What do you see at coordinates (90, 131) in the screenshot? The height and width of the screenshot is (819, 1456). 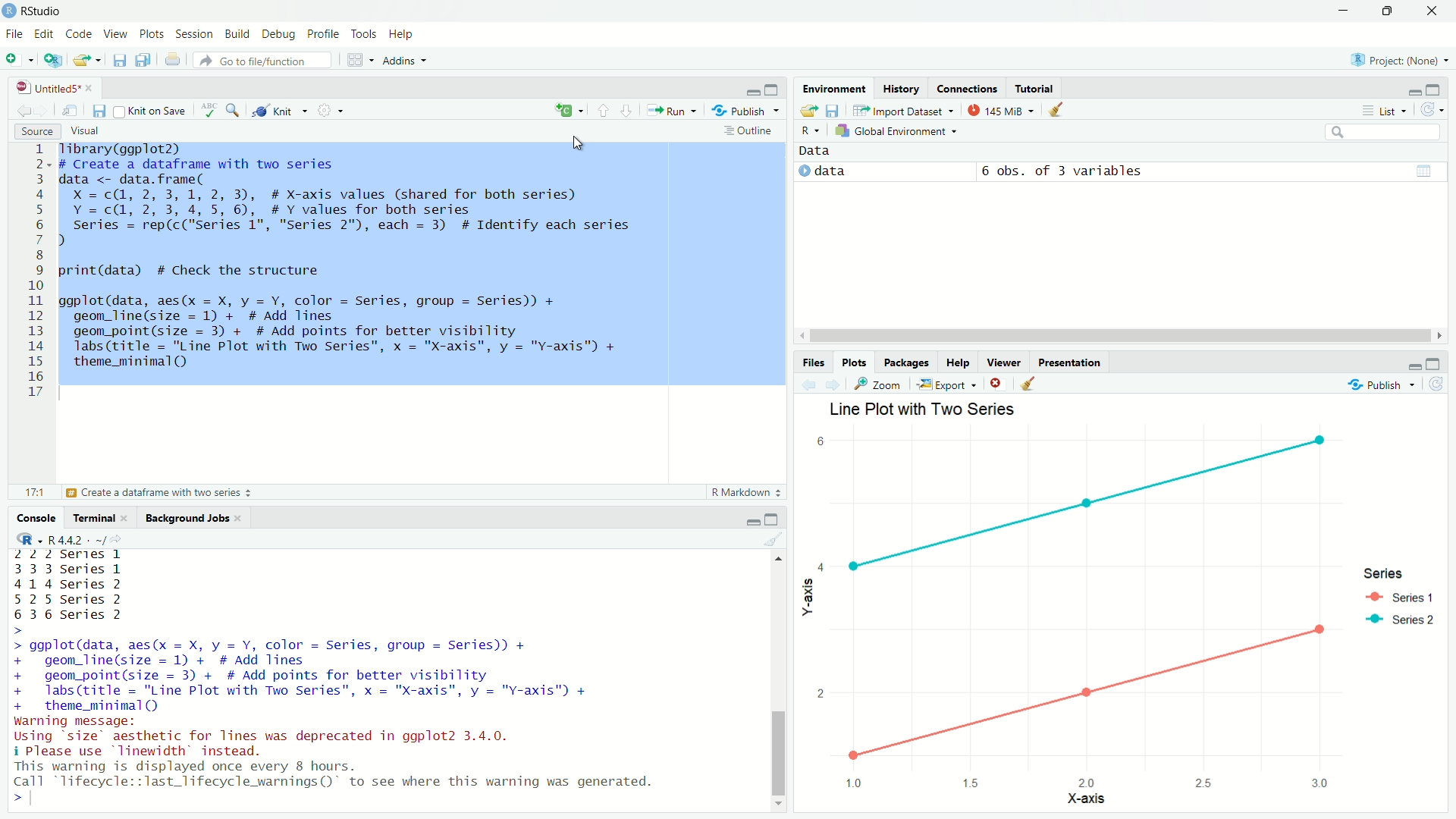 I see `Visual` at bounding box center [90, 131].